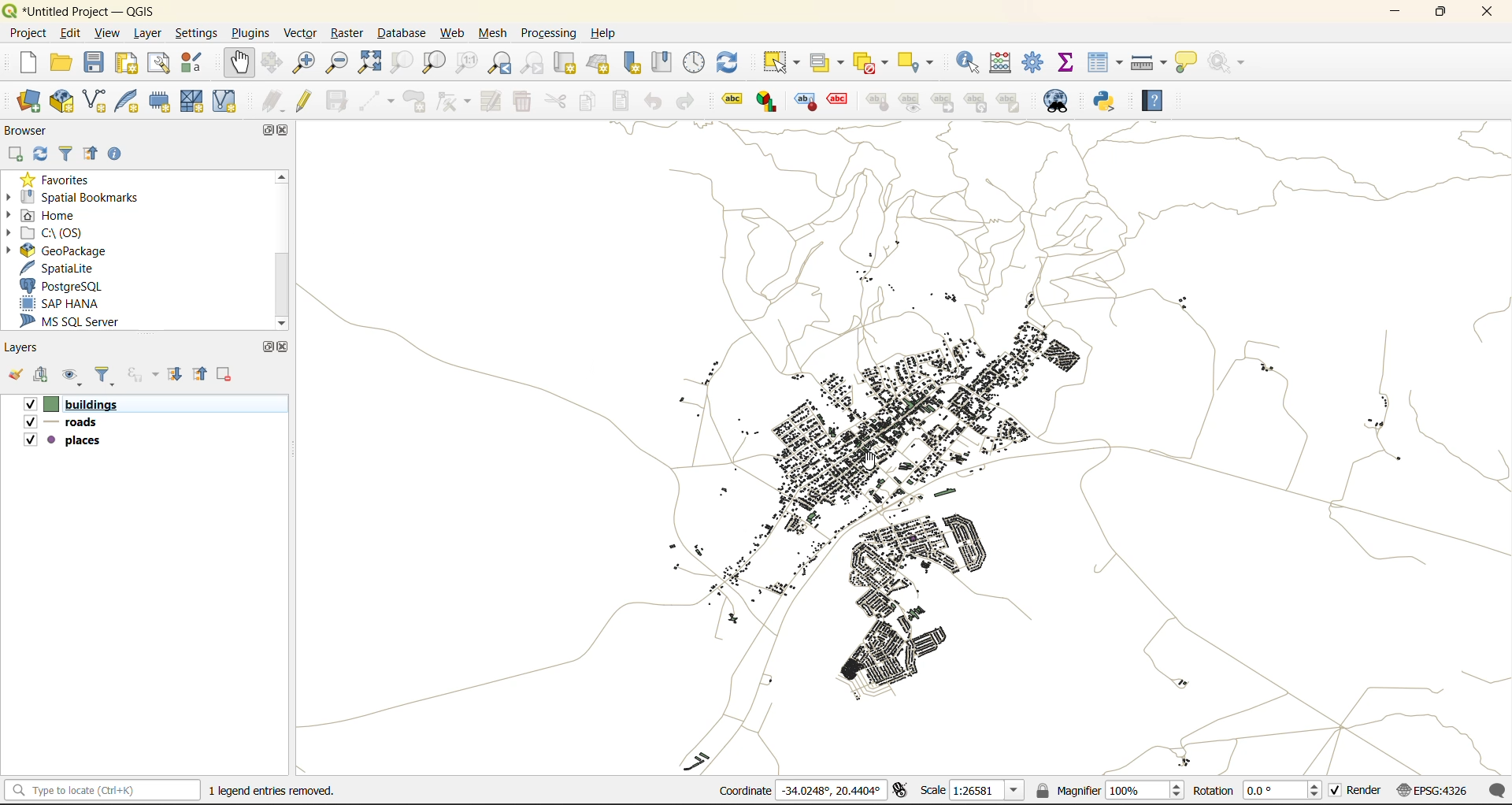  I want to click on browser, so click(28, 128).